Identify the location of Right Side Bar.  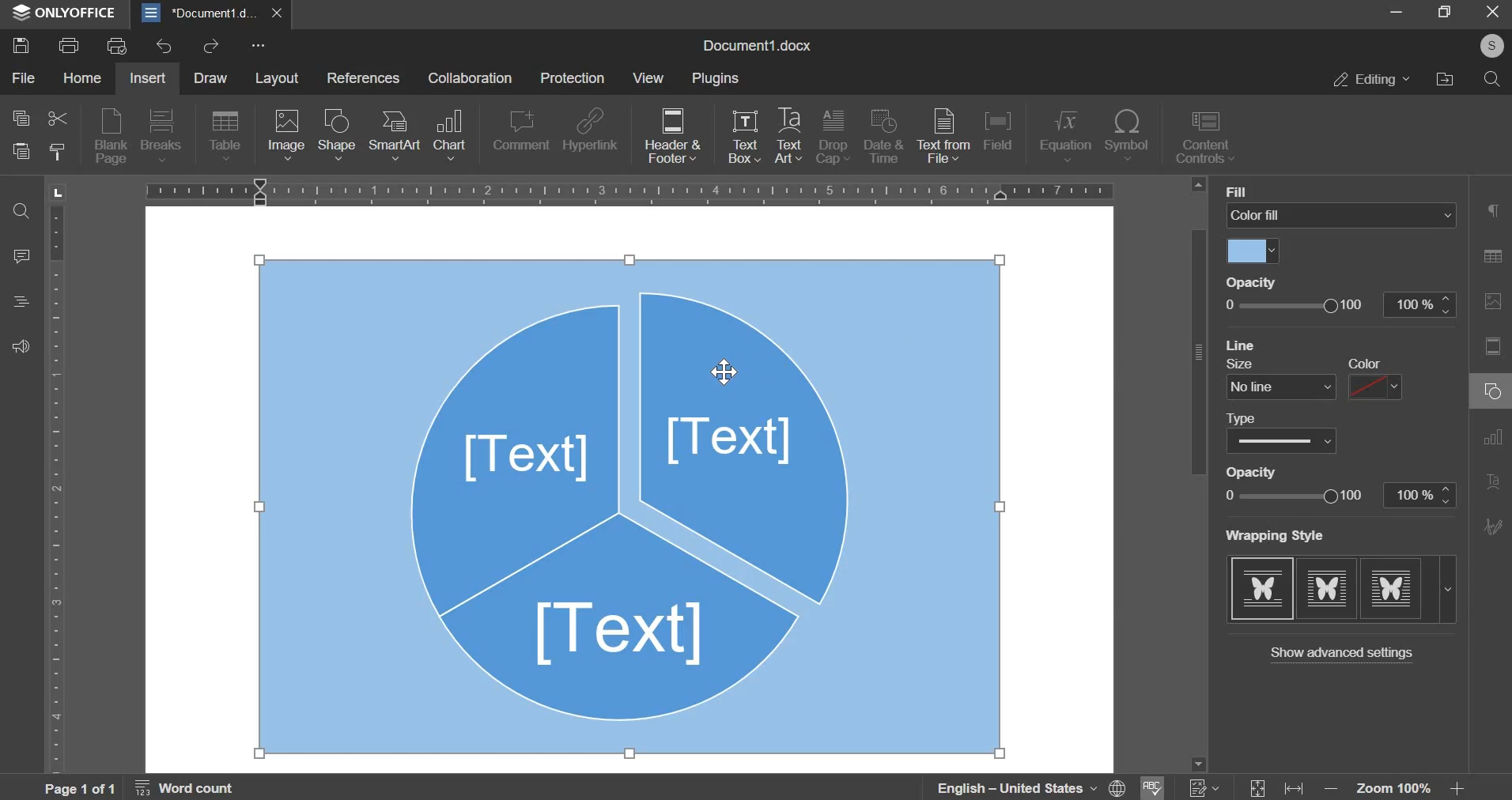
(1491, 376).